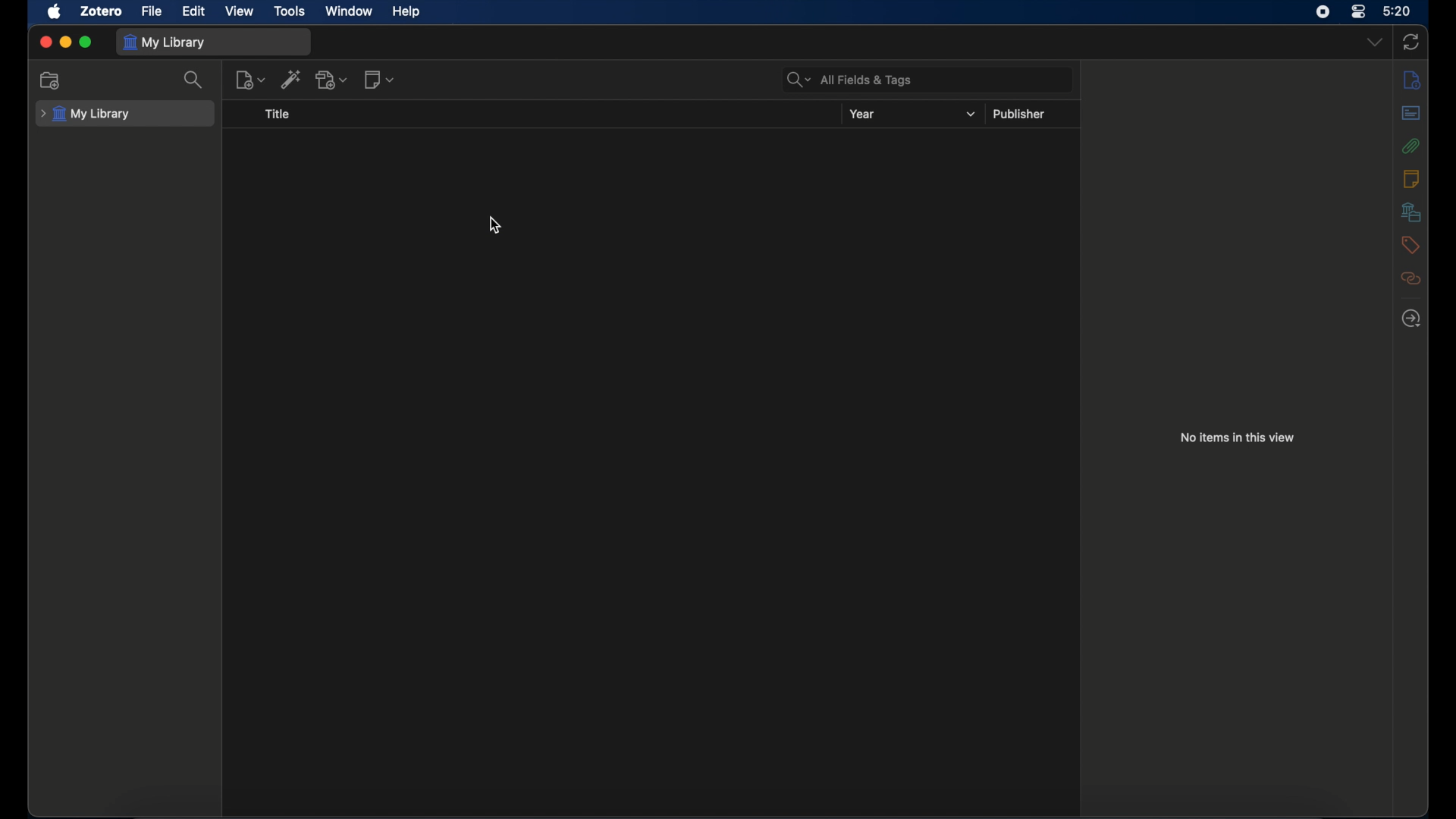 The height and width of the screenshot is (819, 1456). I want to click on tags, so click(1409, 245).